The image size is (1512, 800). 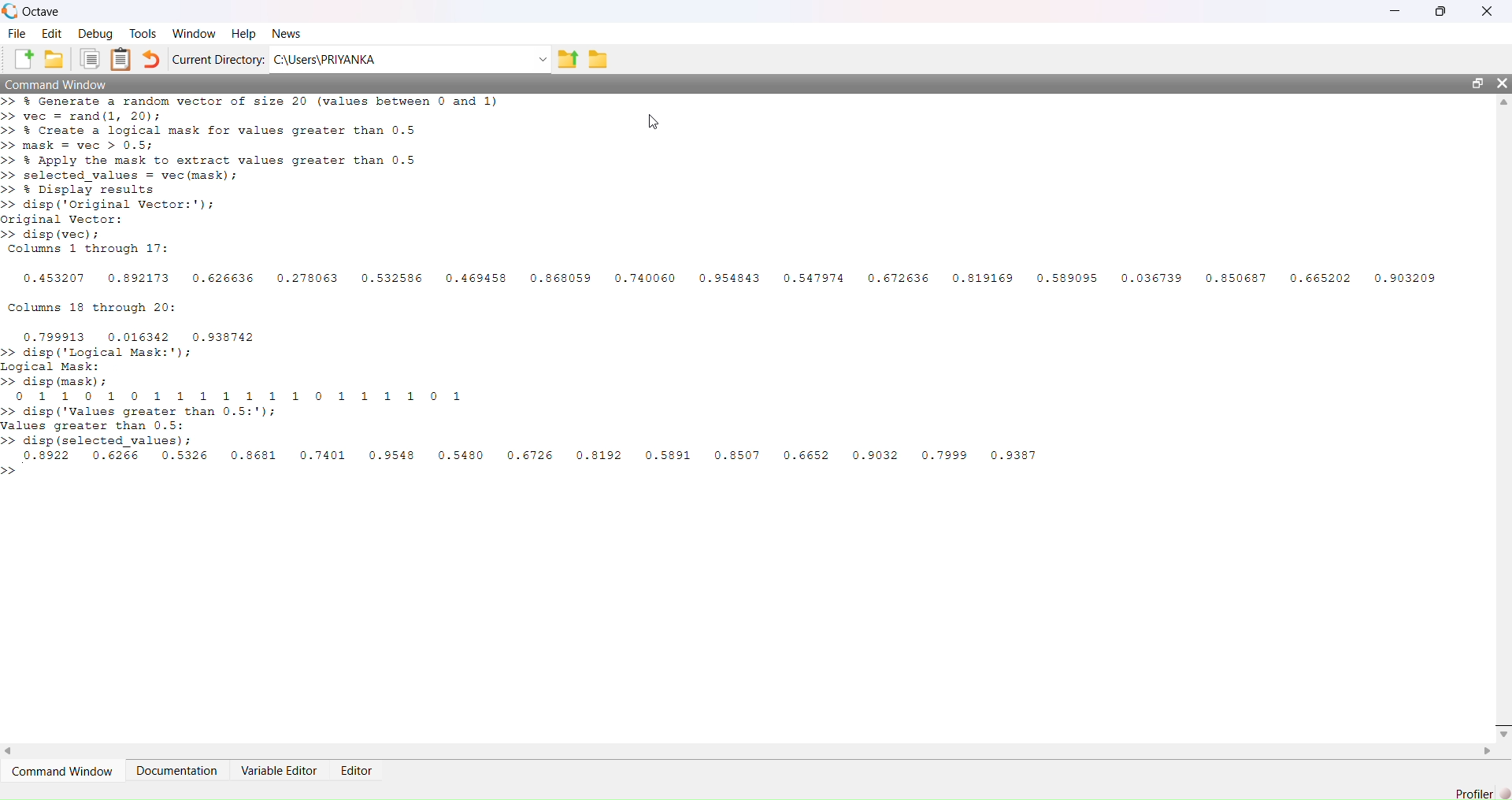 What do you see at coordinates (718, 83) in the screenshot?
I see `Command Window` at bounding box center [718, 83].